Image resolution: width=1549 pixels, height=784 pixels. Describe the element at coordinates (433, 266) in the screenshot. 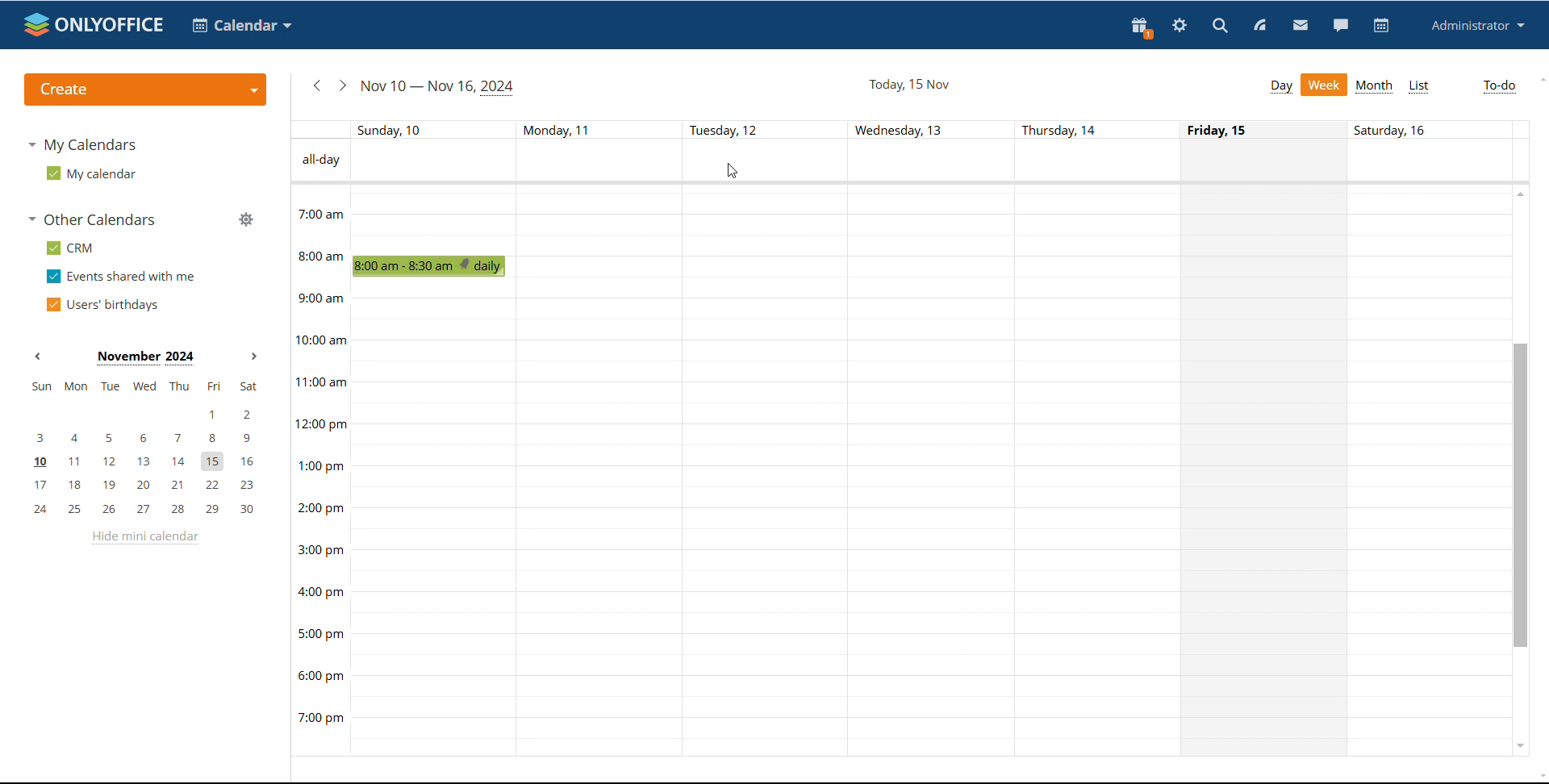

I see `scheduled event` at that location.